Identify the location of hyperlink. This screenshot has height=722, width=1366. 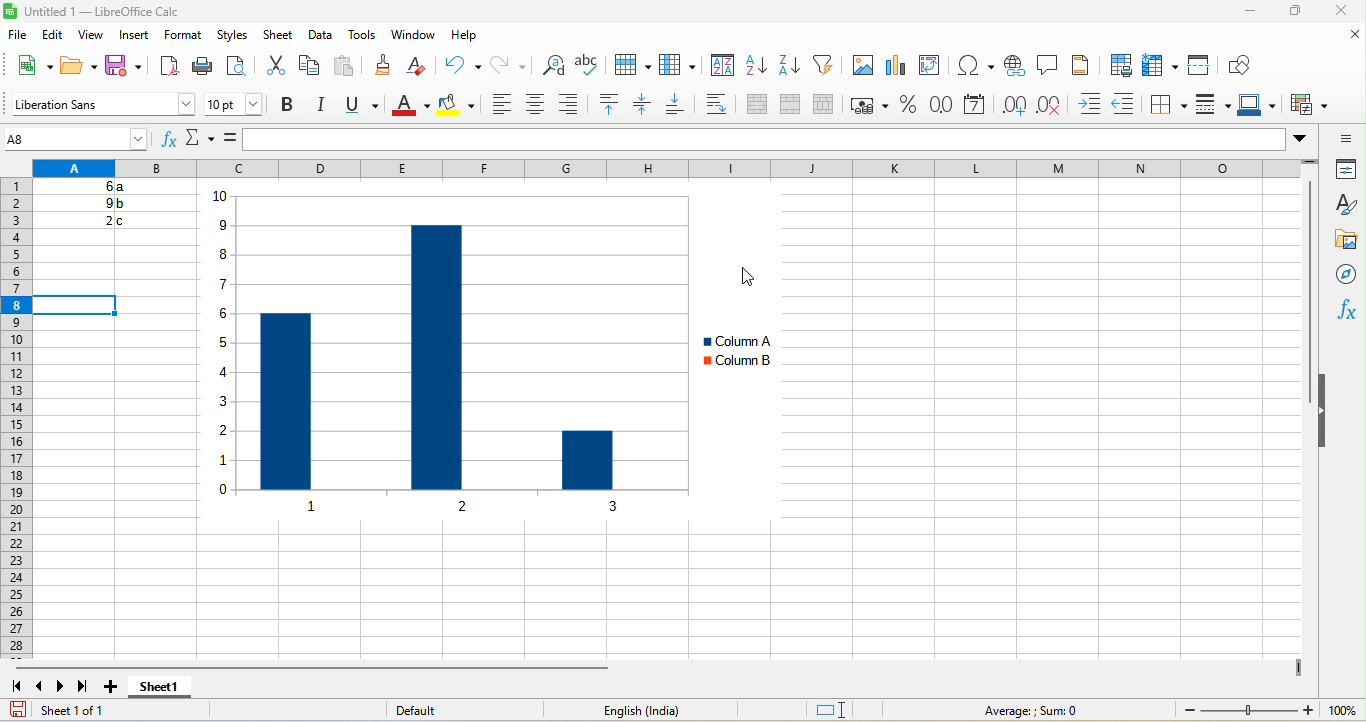
(1016, 67).